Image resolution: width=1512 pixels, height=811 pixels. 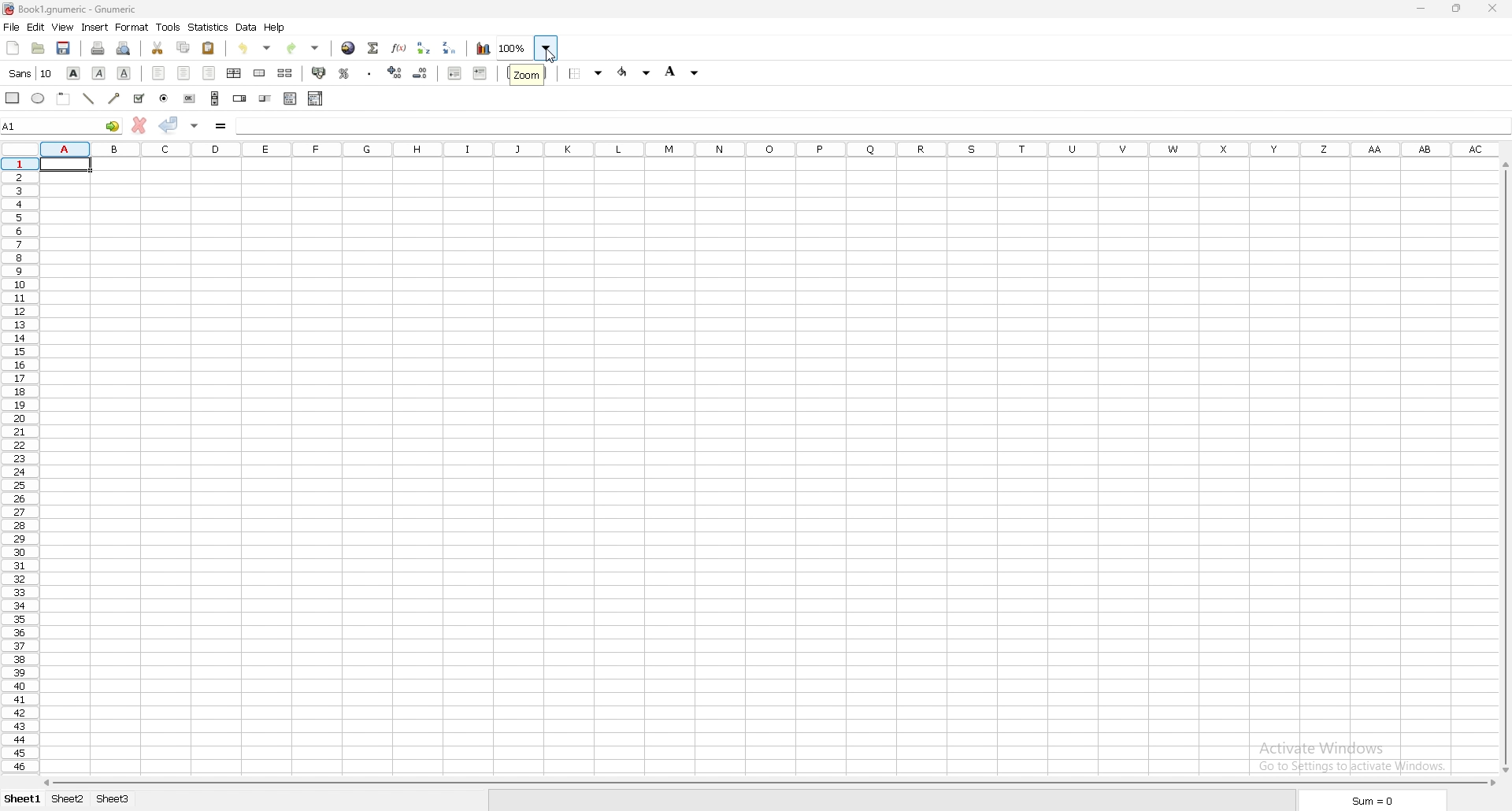 I want to click on cursor description, so click(x=528, y=76).